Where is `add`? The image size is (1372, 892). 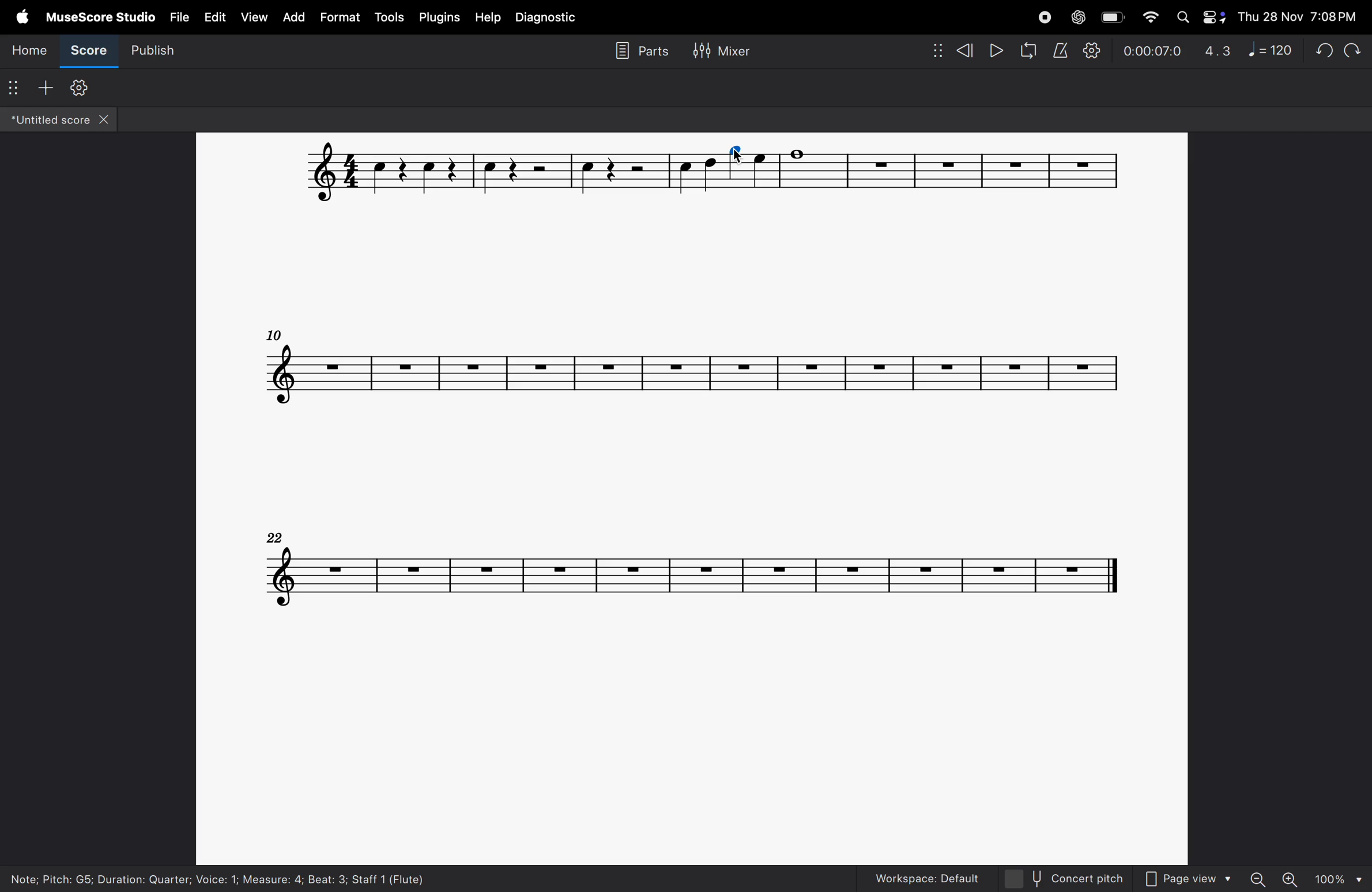
add is located at coordinates (42, 86).